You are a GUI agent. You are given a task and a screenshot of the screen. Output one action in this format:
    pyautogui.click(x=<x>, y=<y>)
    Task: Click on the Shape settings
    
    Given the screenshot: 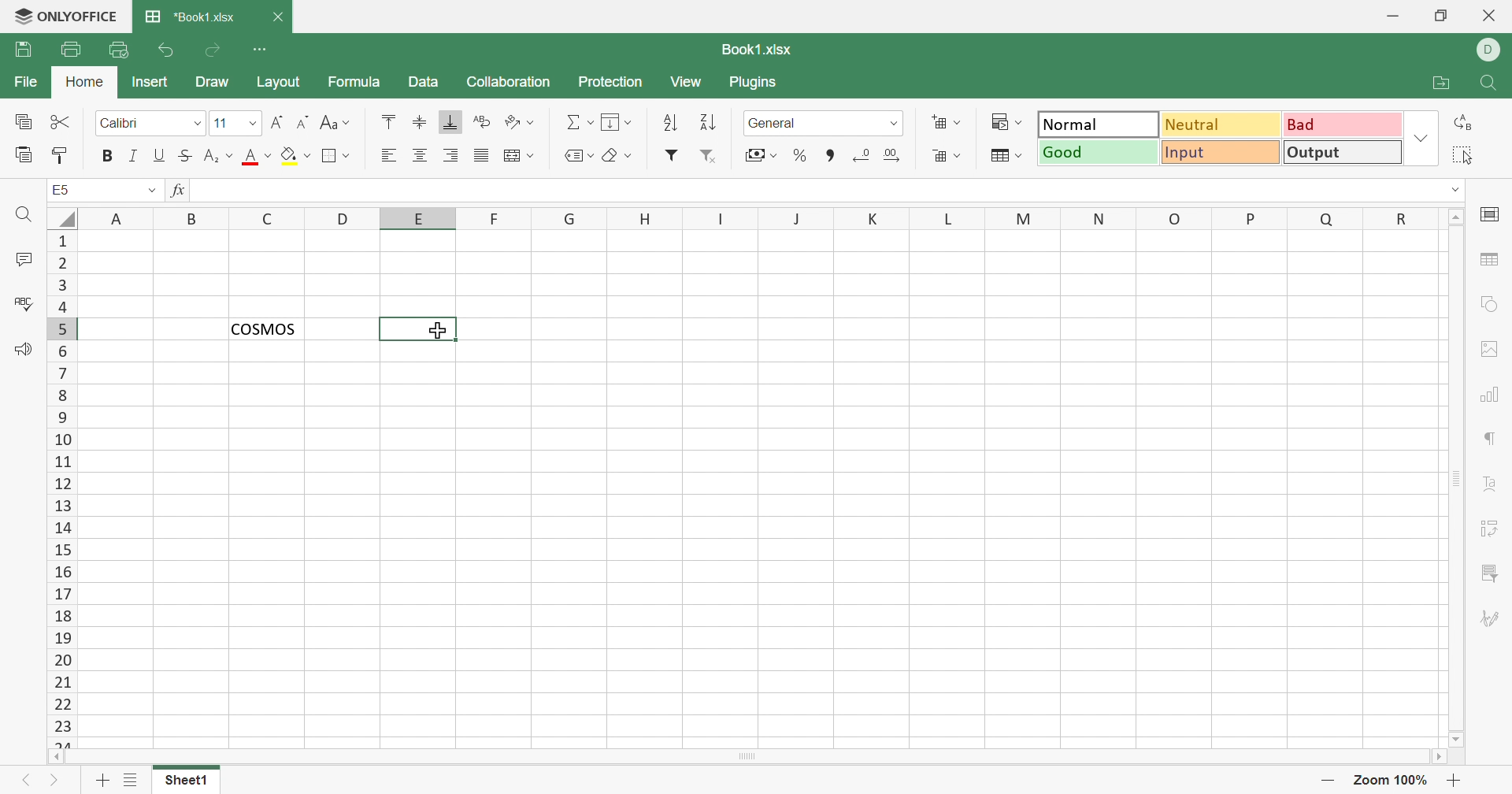 What is the action you would take?
    pyautogui.click(x=1493, y=306)
    